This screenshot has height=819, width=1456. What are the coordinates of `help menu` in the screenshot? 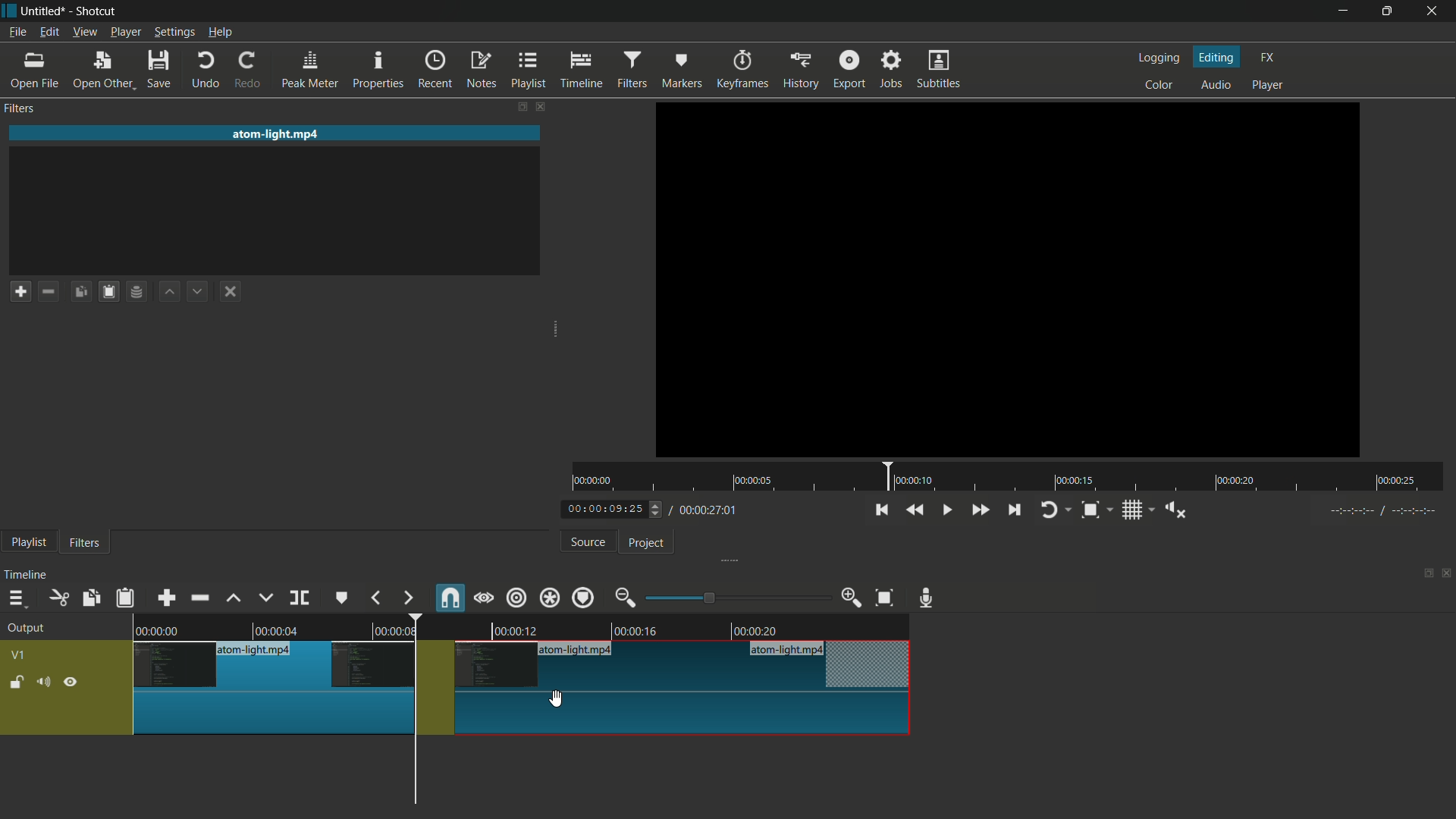 It's located at (220, 33).